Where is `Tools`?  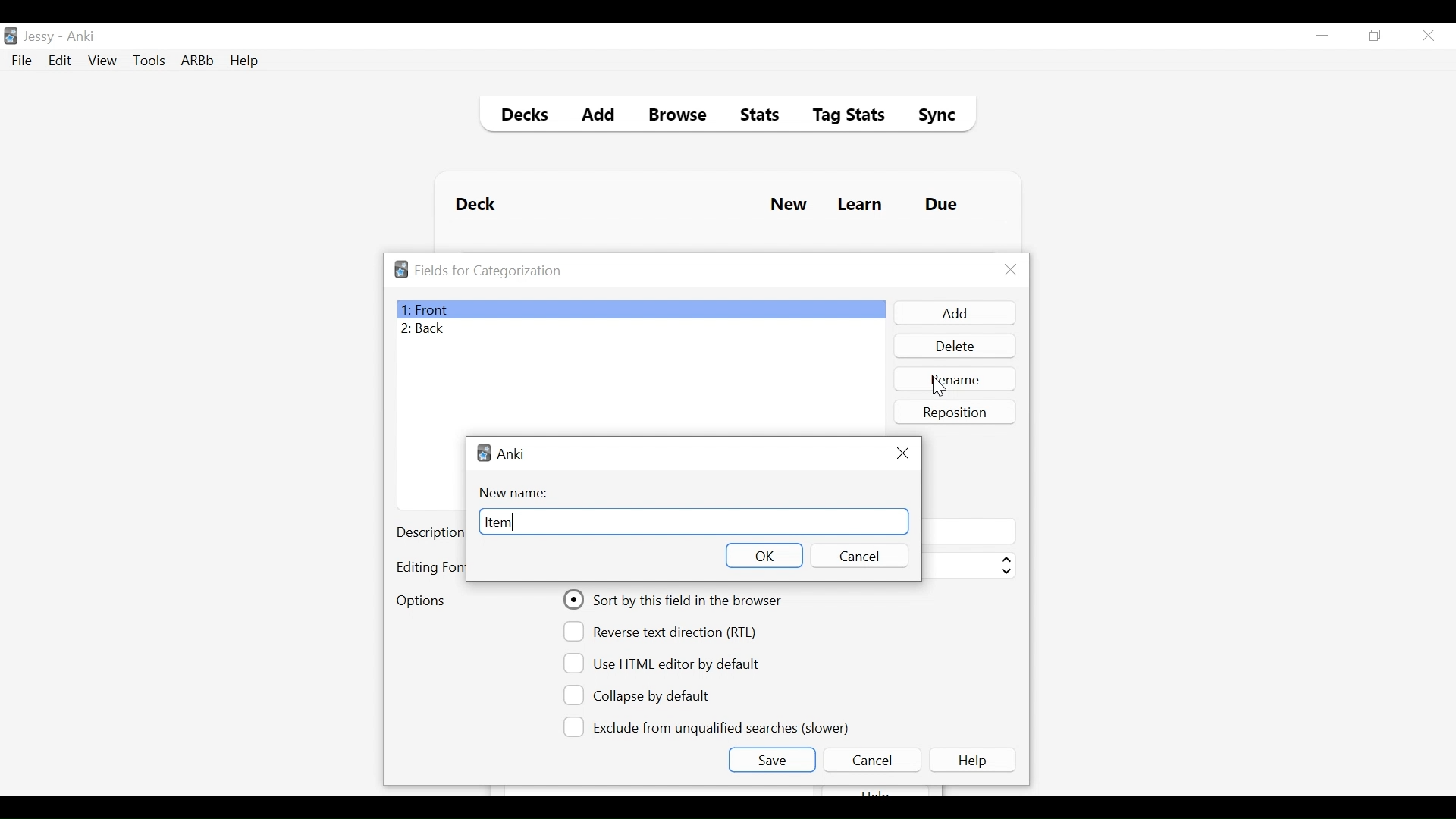 Tools is located at coordinates (149, 60).